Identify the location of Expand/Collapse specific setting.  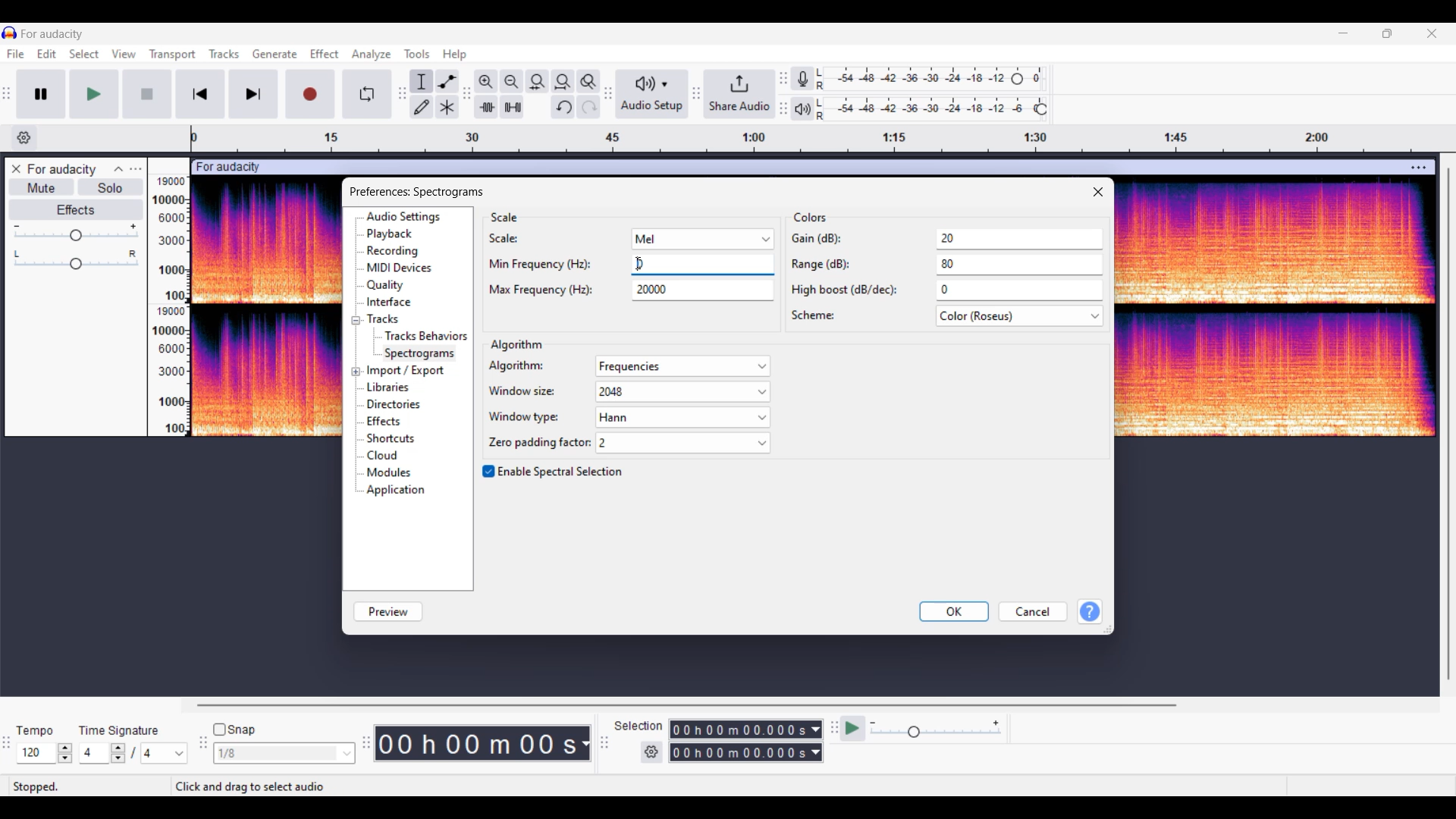
(356, 347).